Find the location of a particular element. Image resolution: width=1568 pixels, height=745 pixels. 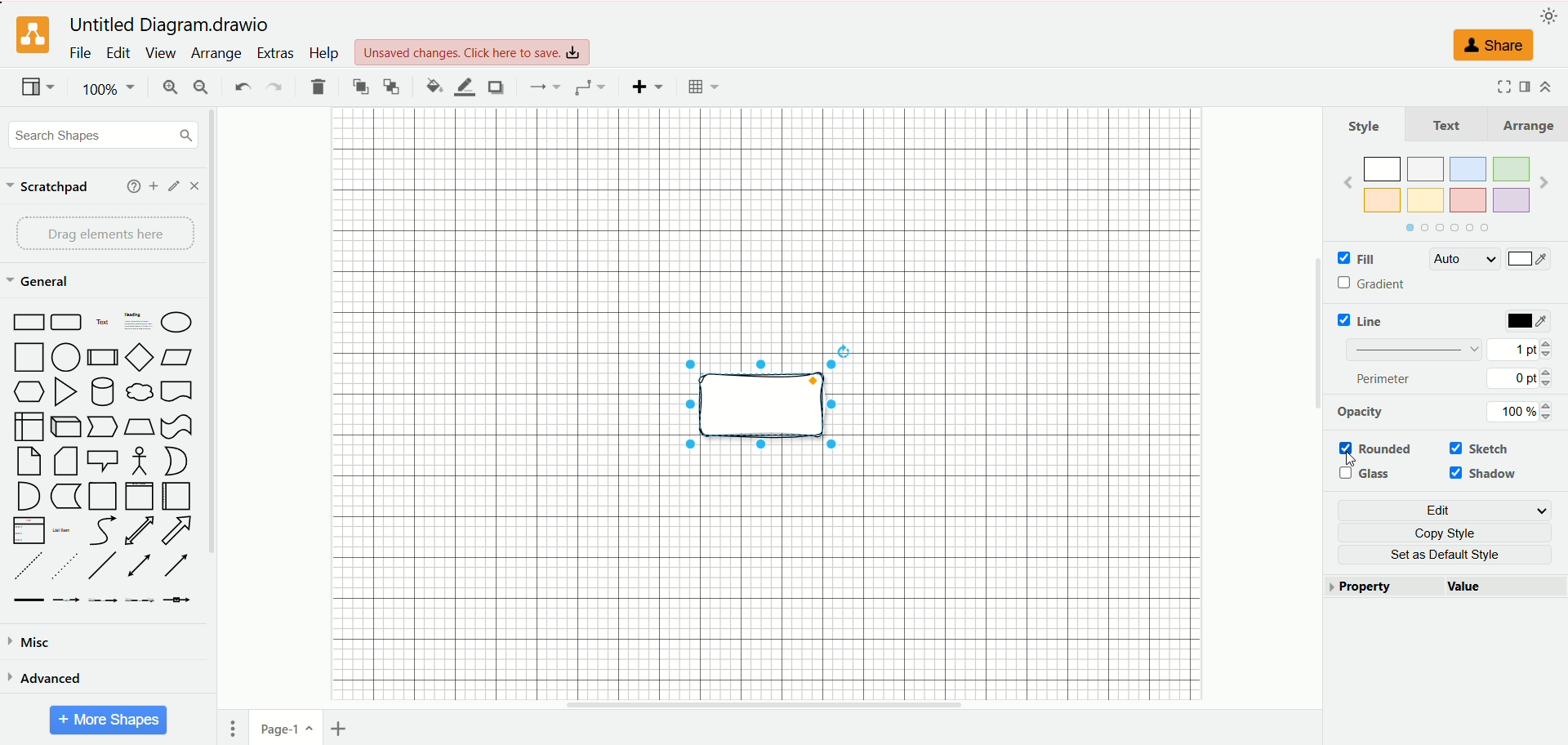

waypoint is located at coordinates (590, 87).